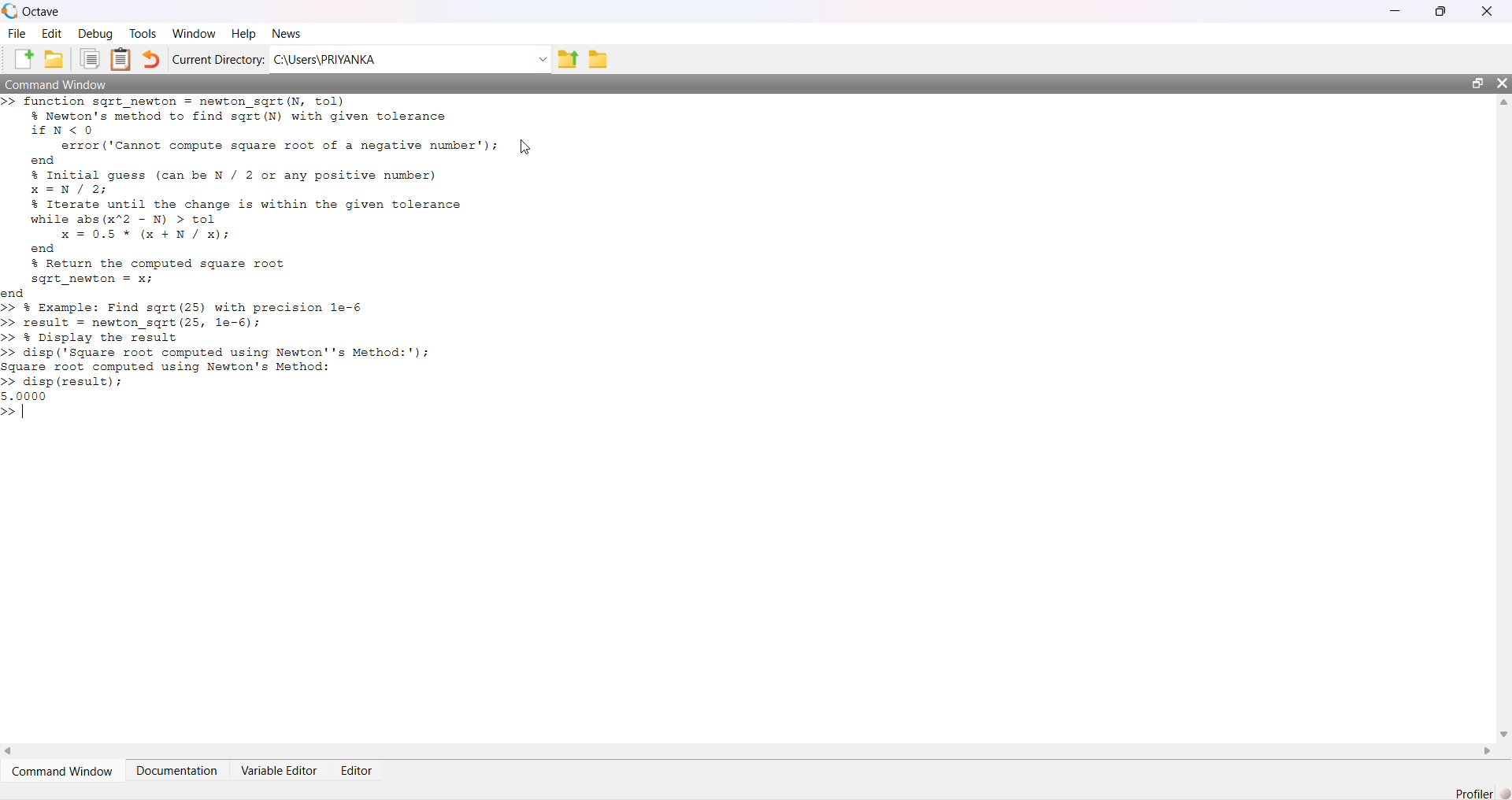  What do you see at coordinates (243, 33) in the screenshot?
I see `Help` at bounding box center [243, 33].